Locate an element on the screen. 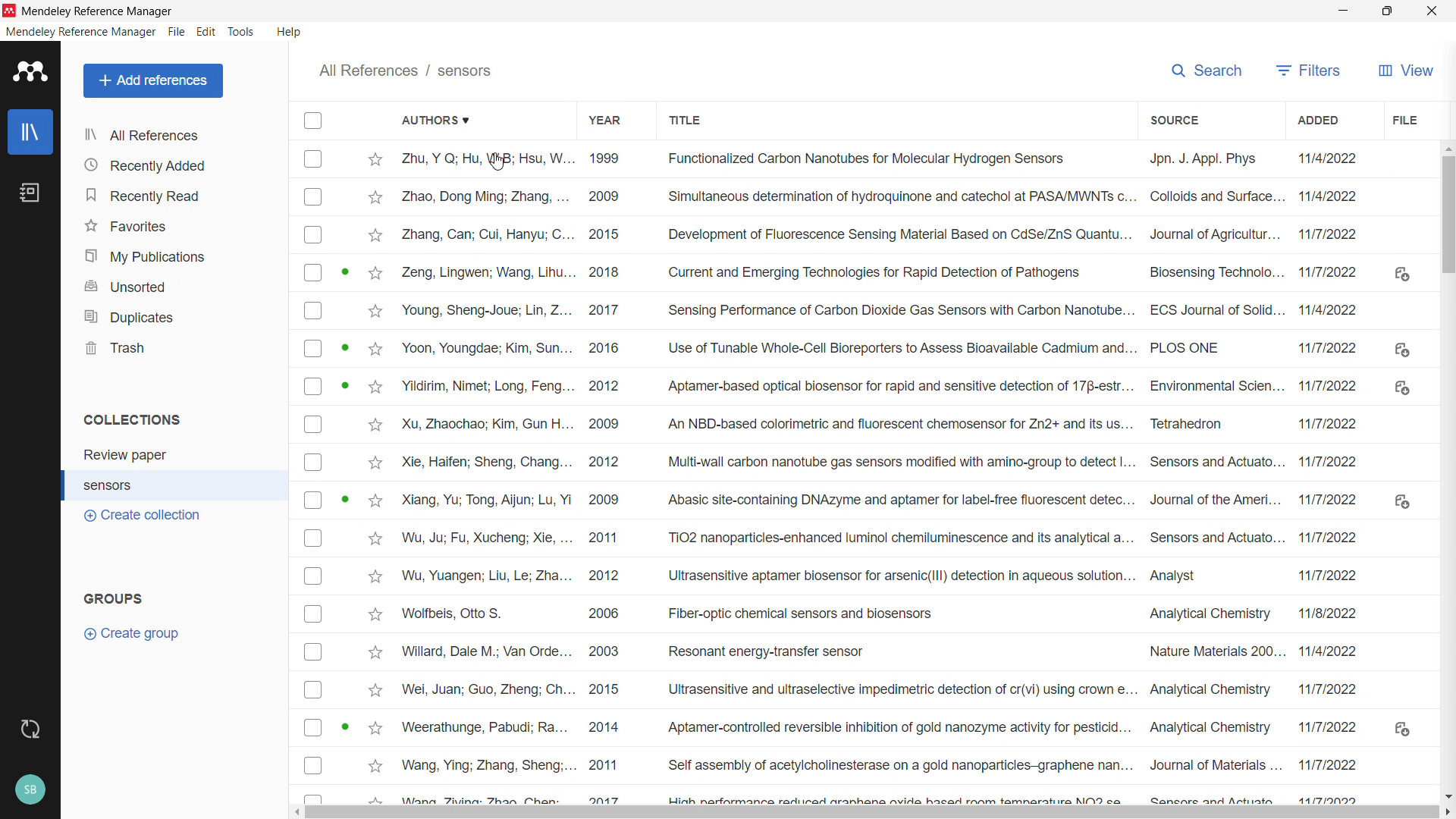  PDF available is located at coordinates (344, 726).